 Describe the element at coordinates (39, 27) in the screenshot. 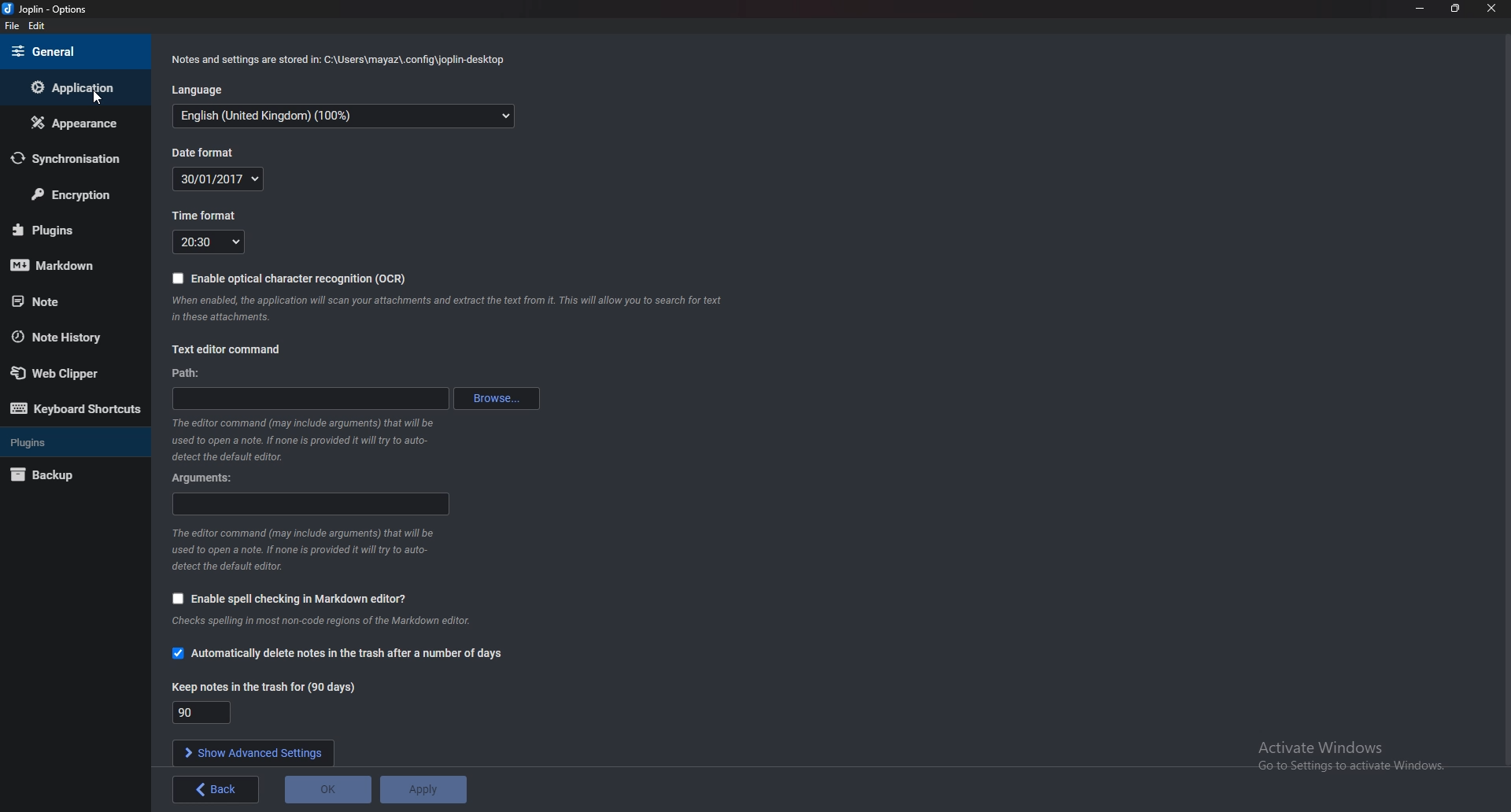

I see `Edit` at that location.